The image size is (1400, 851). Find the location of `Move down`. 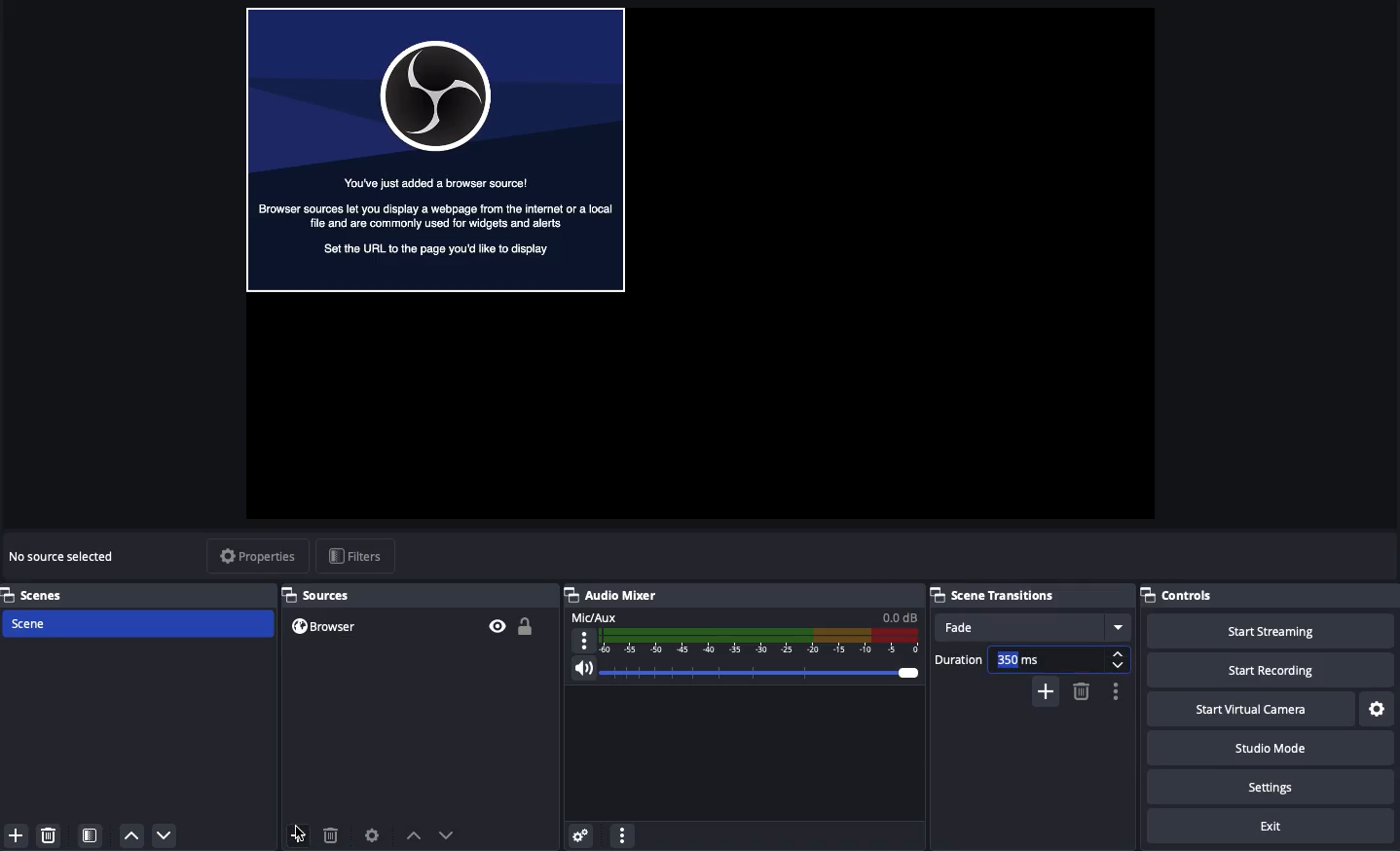

Move down is located at coordinates (446, 834).